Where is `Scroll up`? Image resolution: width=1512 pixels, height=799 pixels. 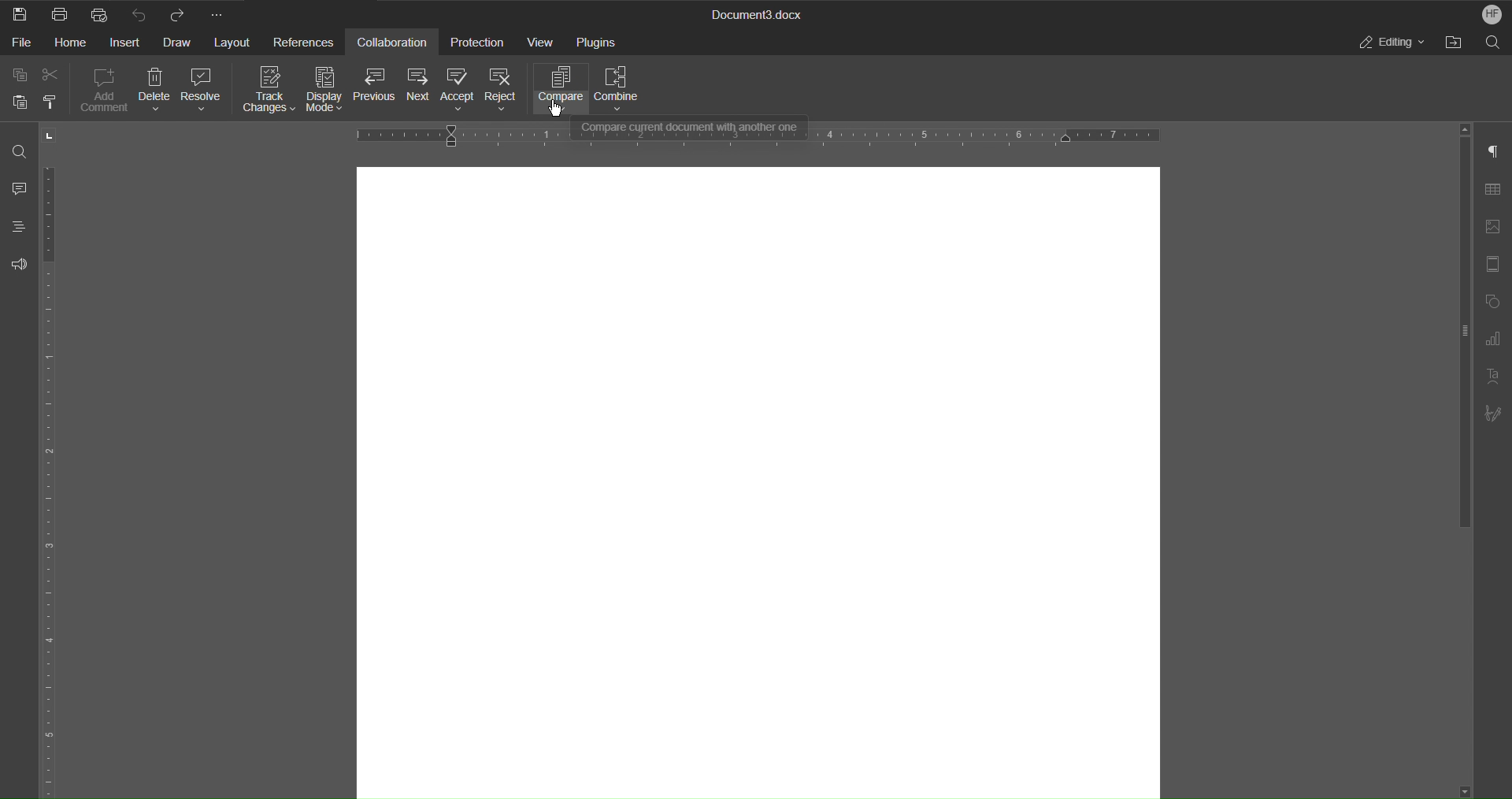
Scroll up is located at coordinates (1463, 125).